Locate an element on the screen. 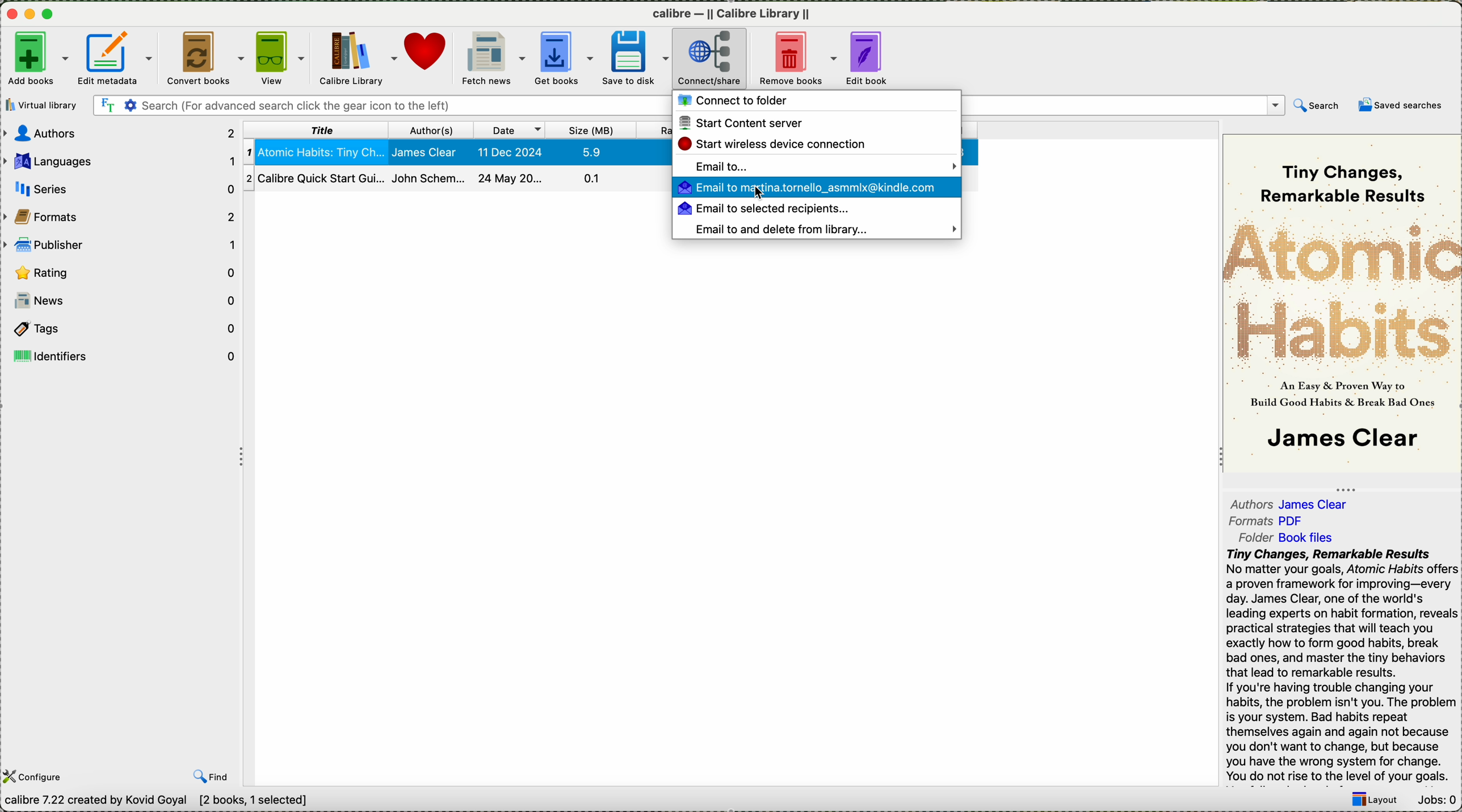 The image size is (1462, 812). rating is located at coordinates (124, 272).